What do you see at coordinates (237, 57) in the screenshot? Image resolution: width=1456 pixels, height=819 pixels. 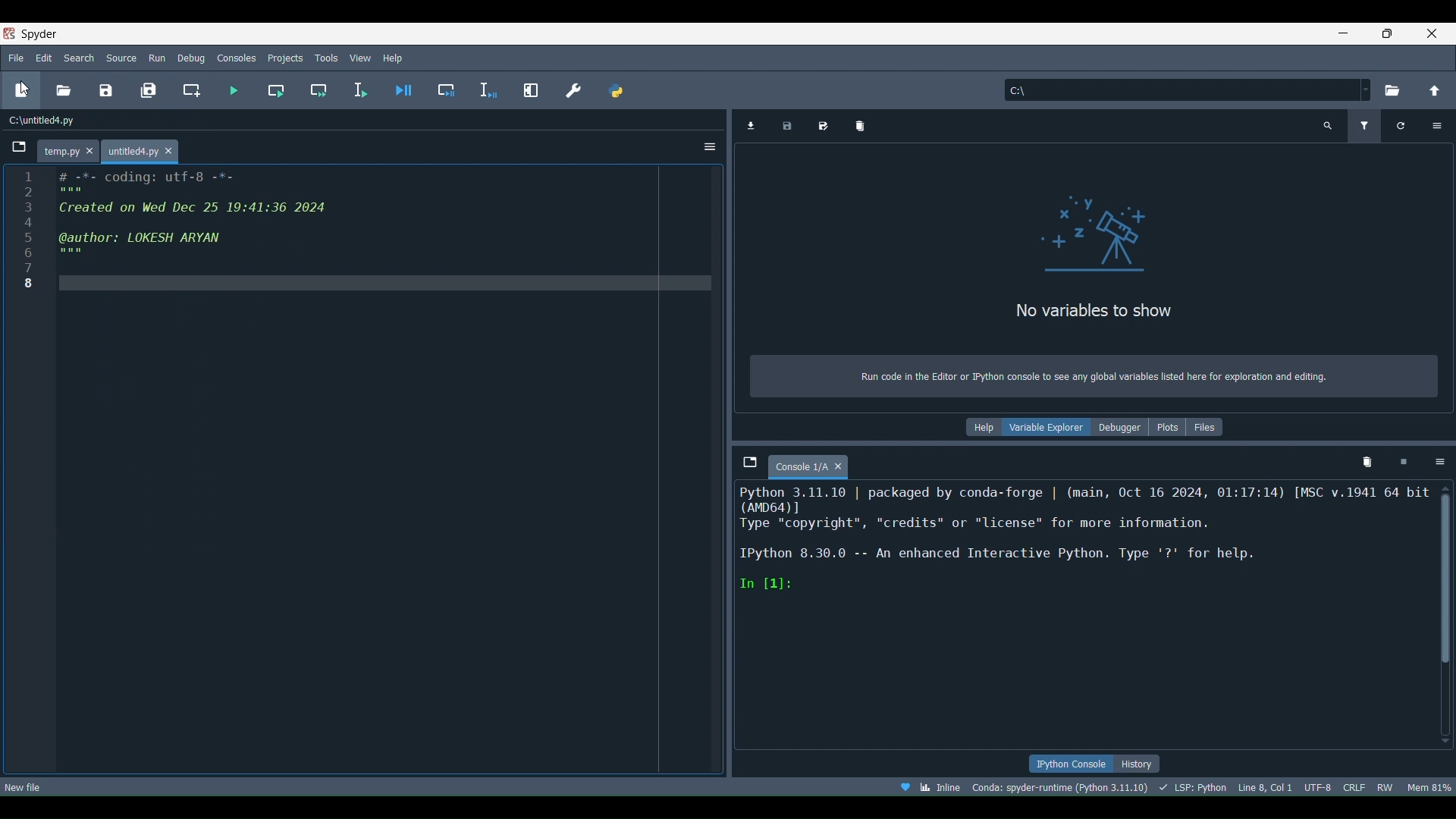 I see `Consoles` at bounding box center [237, 57].